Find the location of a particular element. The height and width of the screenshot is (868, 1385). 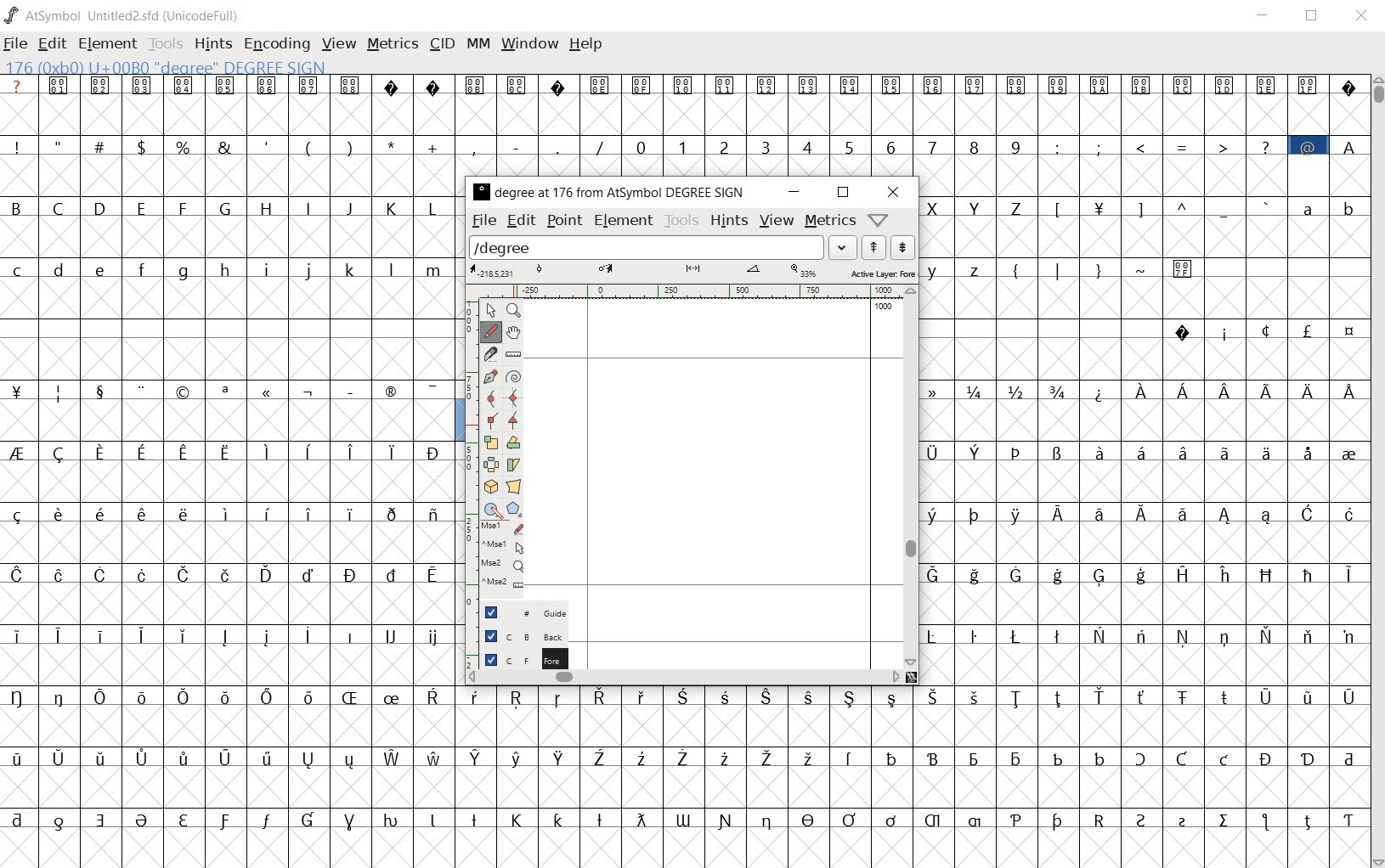

show the next word on the list is located at coordinates (873, 247).